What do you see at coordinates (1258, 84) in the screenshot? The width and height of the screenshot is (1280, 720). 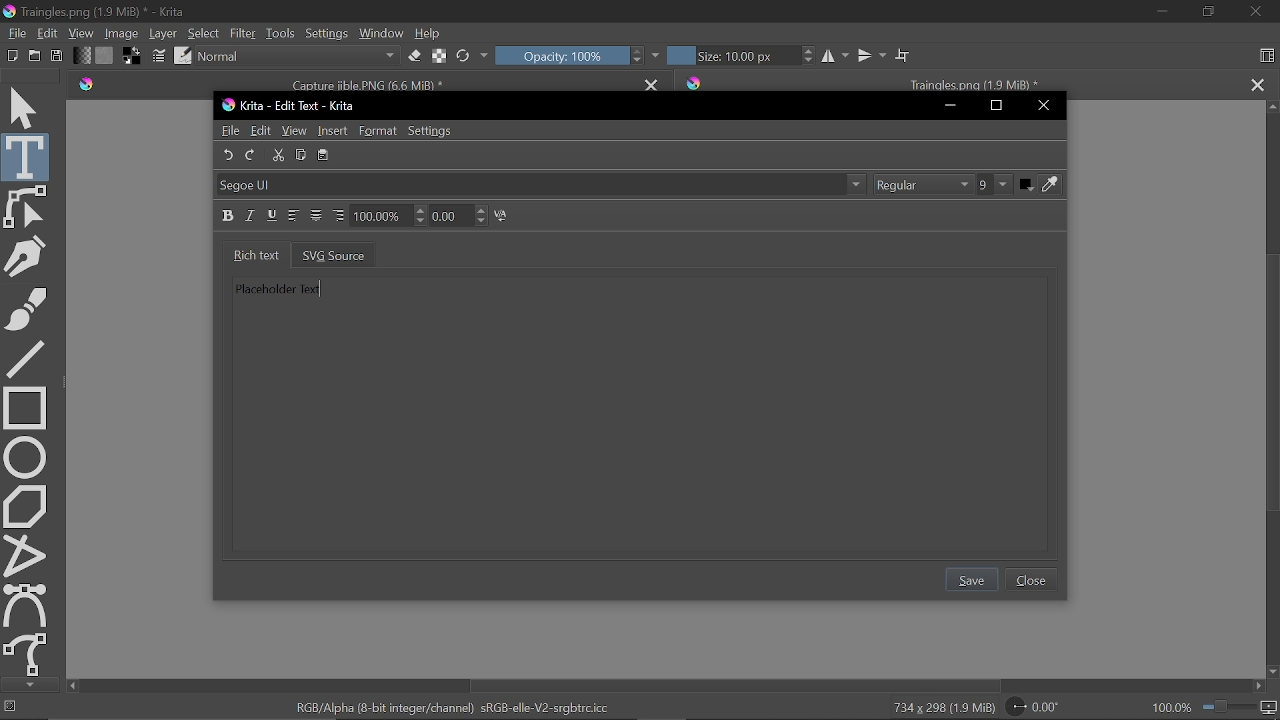 I see `Close tab` at bounding box center [1258, 84].